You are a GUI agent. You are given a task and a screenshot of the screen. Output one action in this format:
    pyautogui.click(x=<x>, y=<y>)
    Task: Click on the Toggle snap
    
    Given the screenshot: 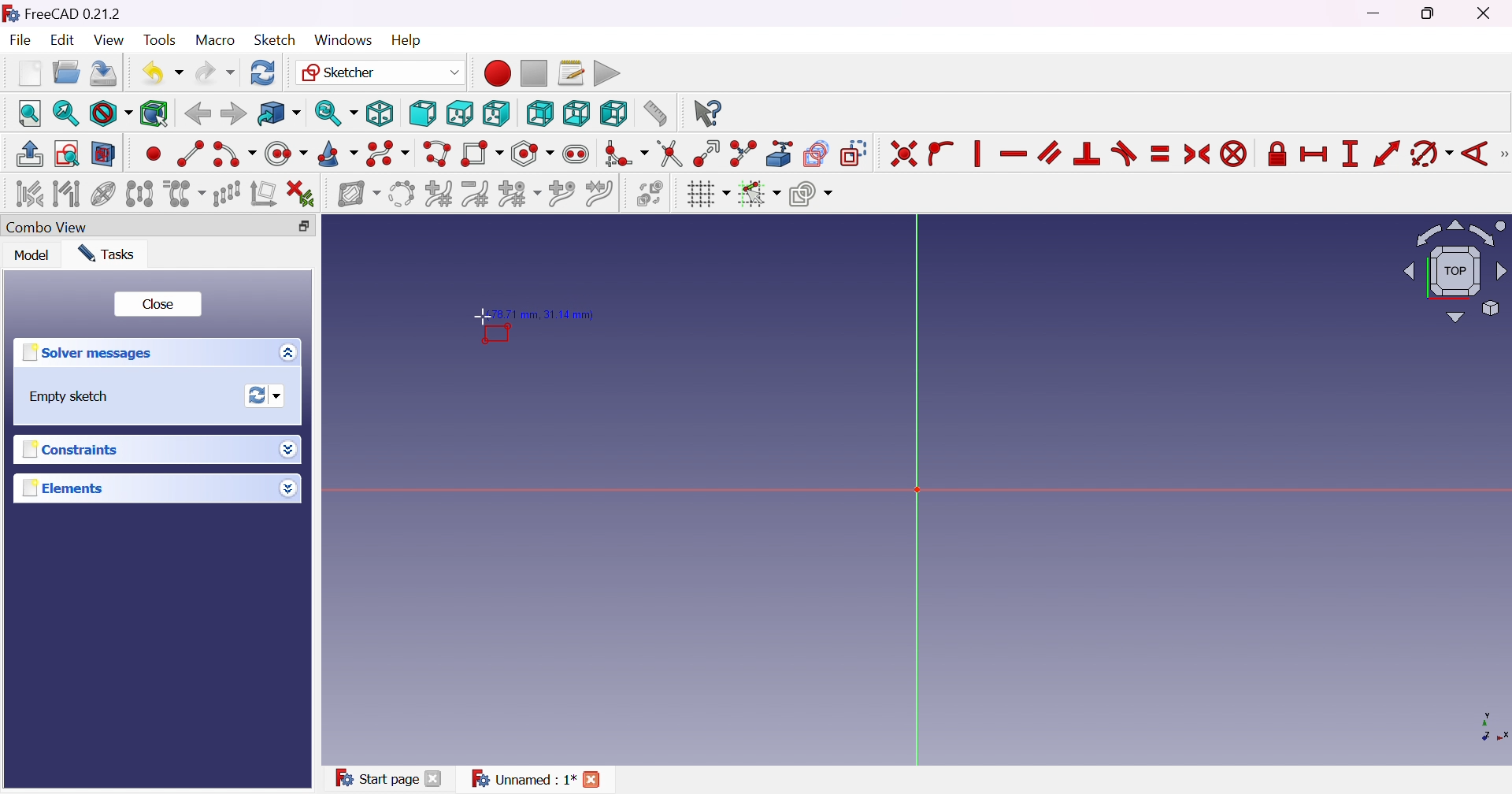 What is the action you would take?
    pyautogui.click(x=758, y=194)
    